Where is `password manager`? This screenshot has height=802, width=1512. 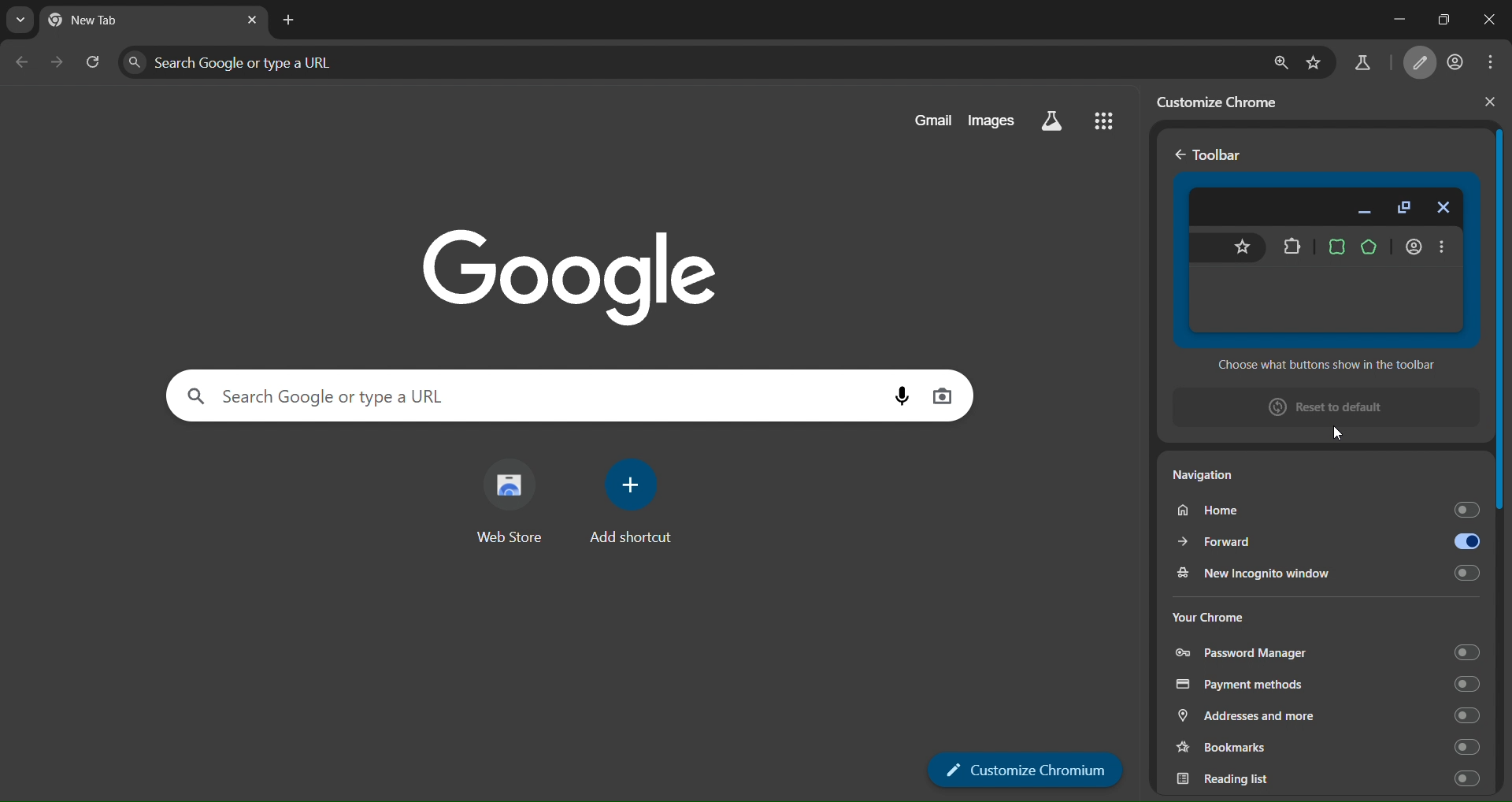
password manager is located at coordinates (1322, 652).